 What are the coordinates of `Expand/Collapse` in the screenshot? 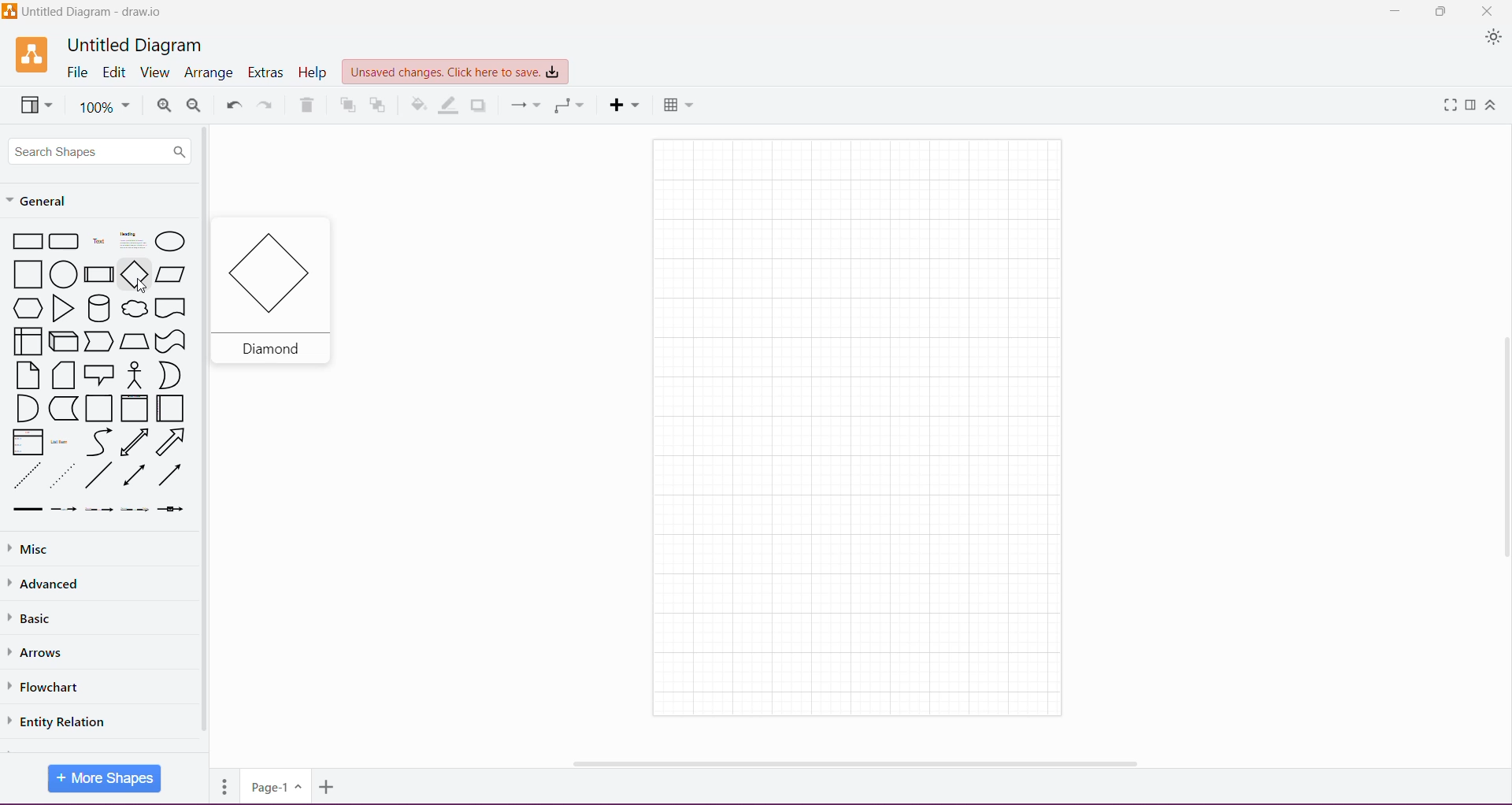 It's located at (1492, 107).